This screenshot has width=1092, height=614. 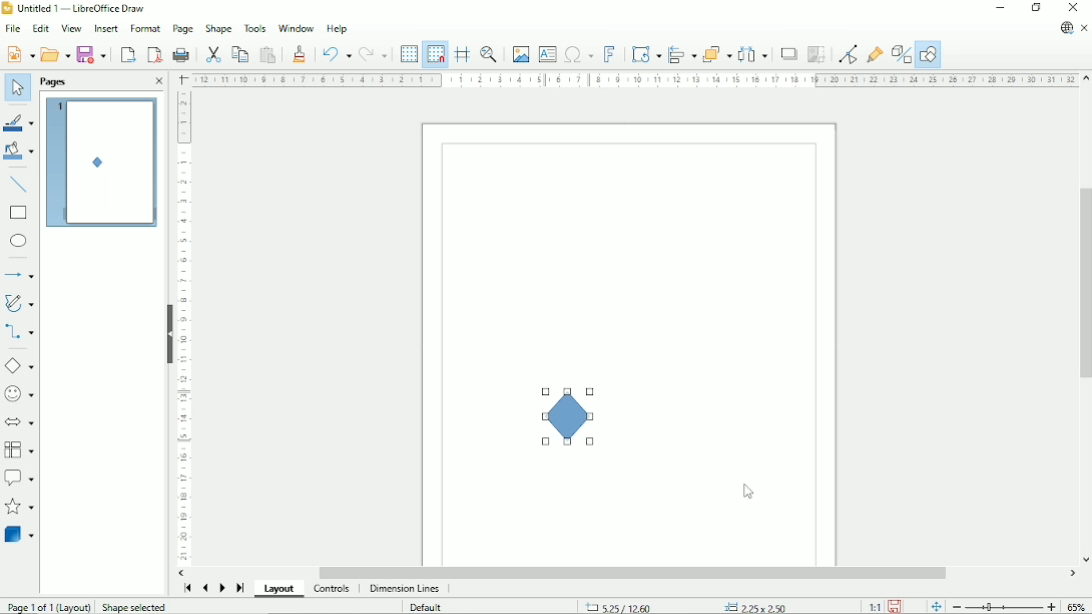 I want to click on Basic shapes, so click(x=21, y=366).